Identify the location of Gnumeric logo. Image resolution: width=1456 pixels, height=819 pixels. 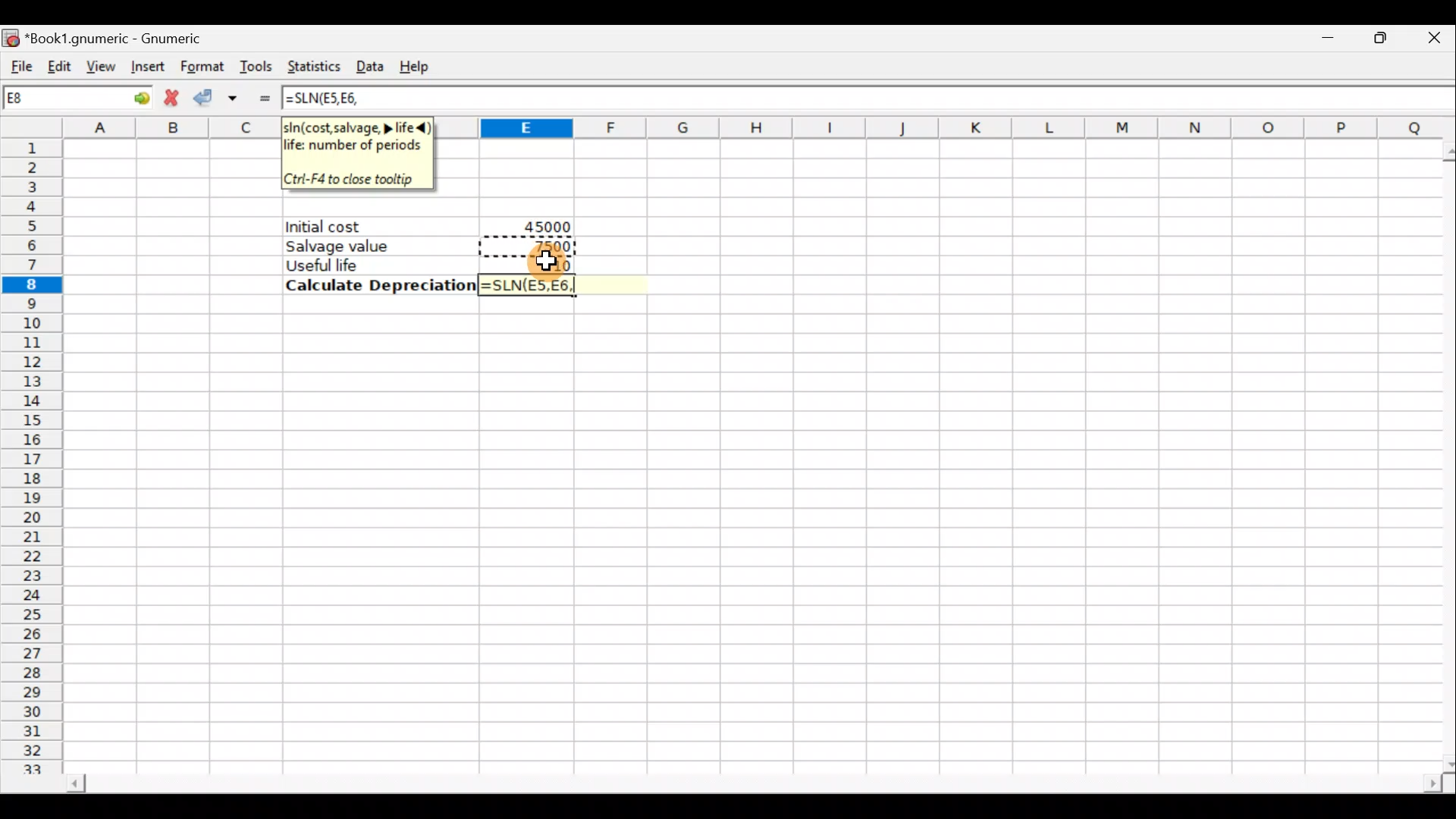
(12, 35).